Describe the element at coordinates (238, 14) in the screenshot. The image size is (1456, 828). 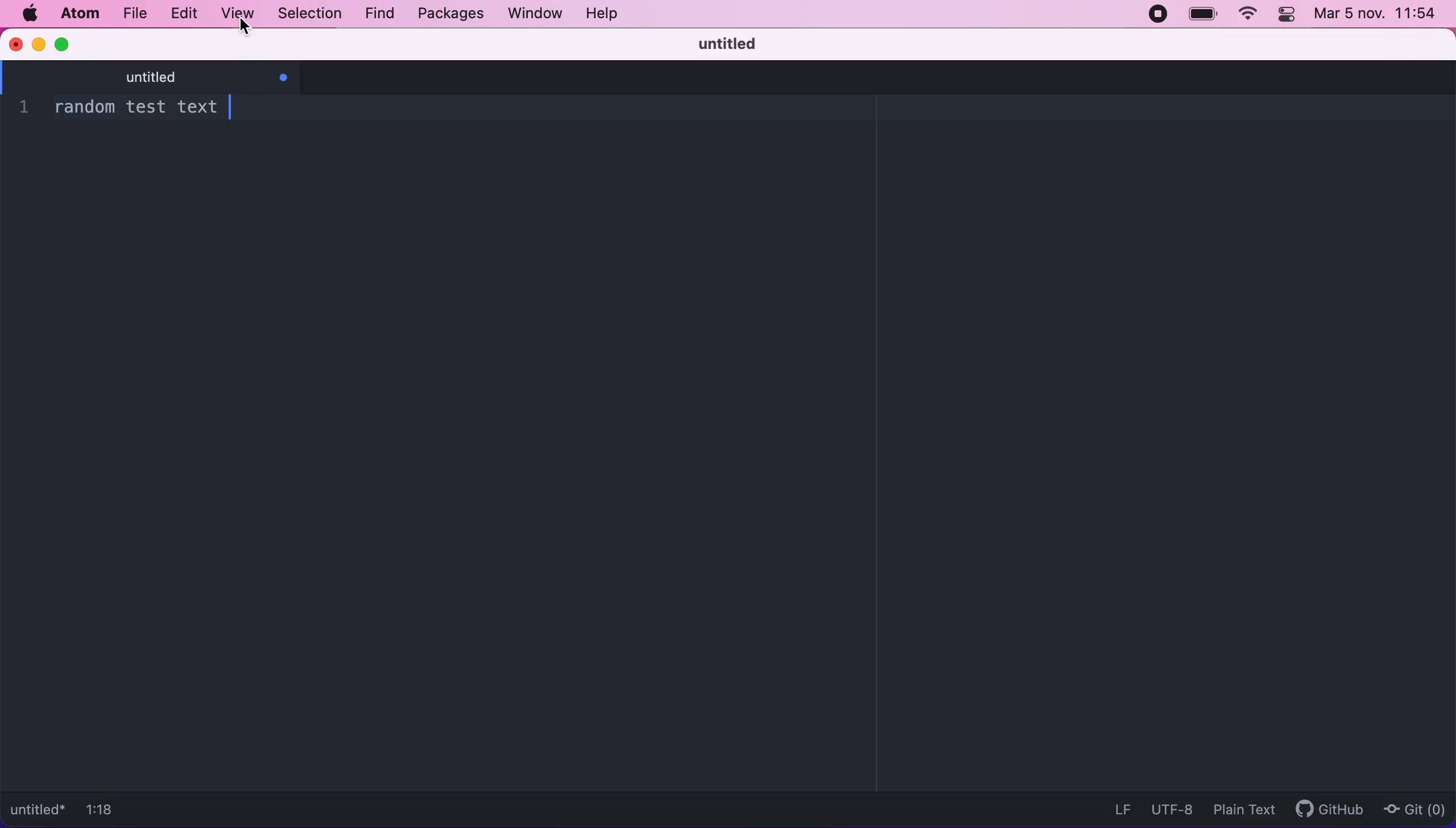
I see `view` at that location.